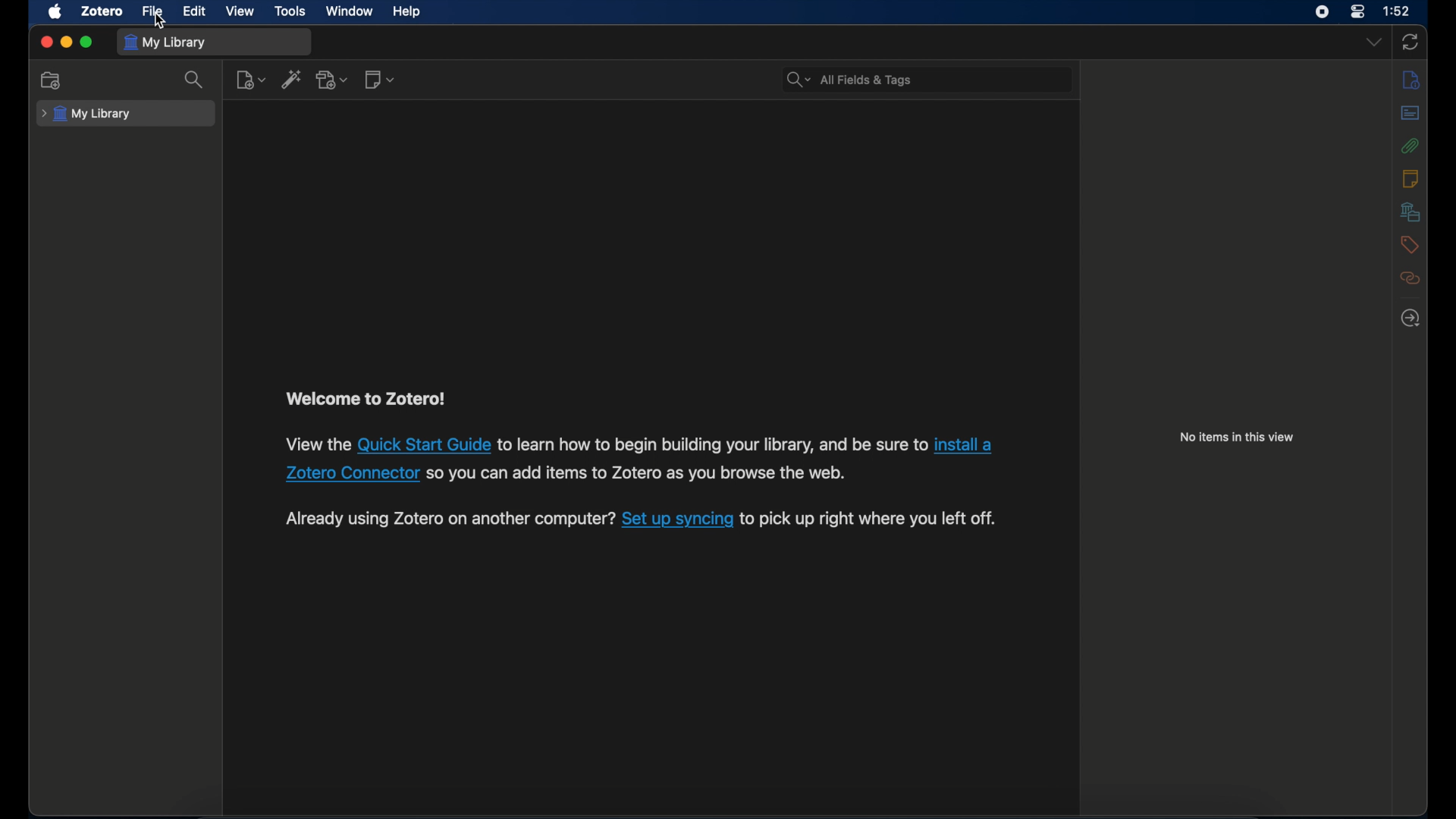  Describe the element at coordinates (196, 11) in the screenshot. I see `edit` at that location.